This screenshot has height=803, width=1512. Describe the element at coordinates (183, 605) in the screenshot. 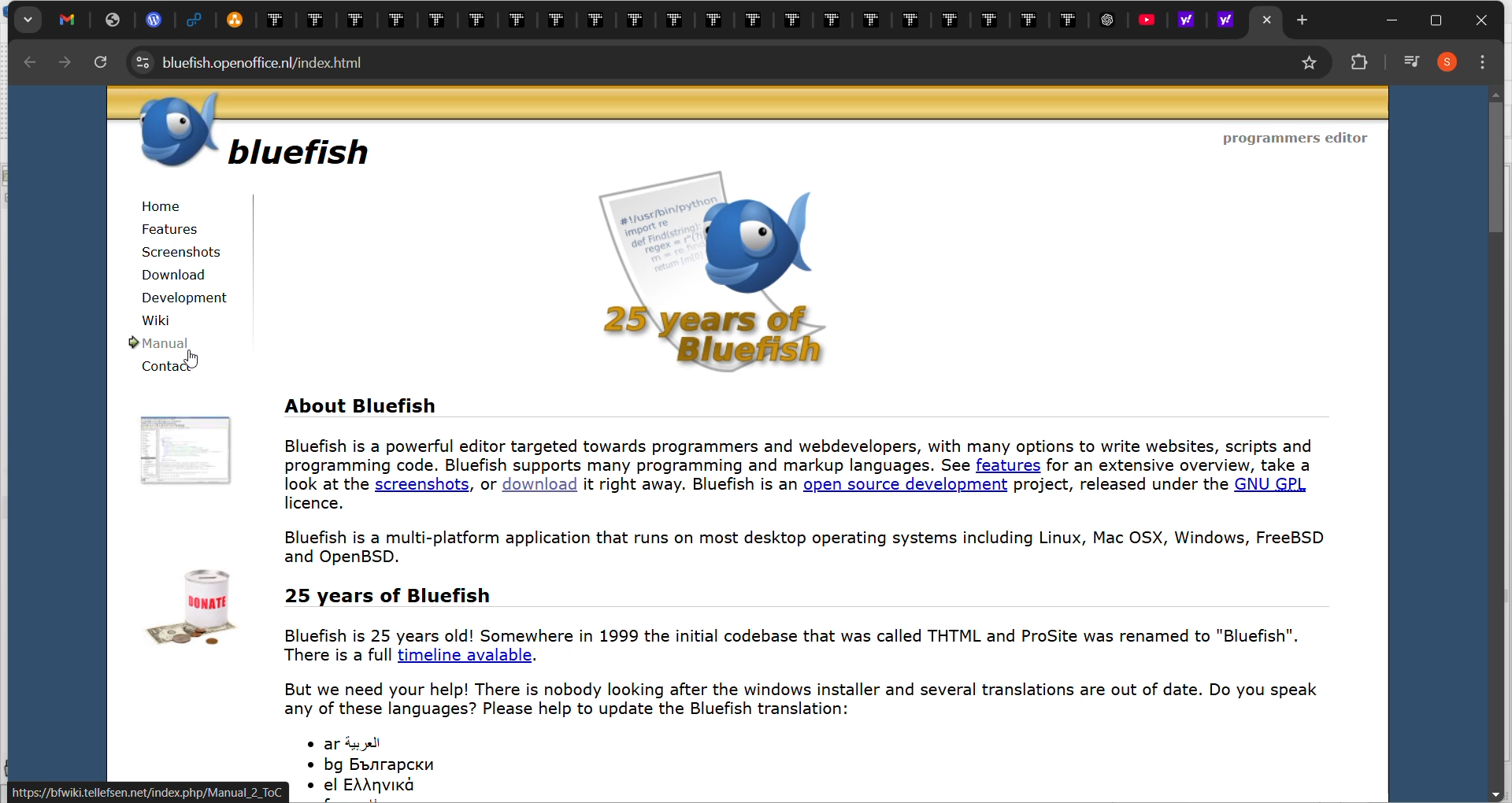

I see `image` at that location.